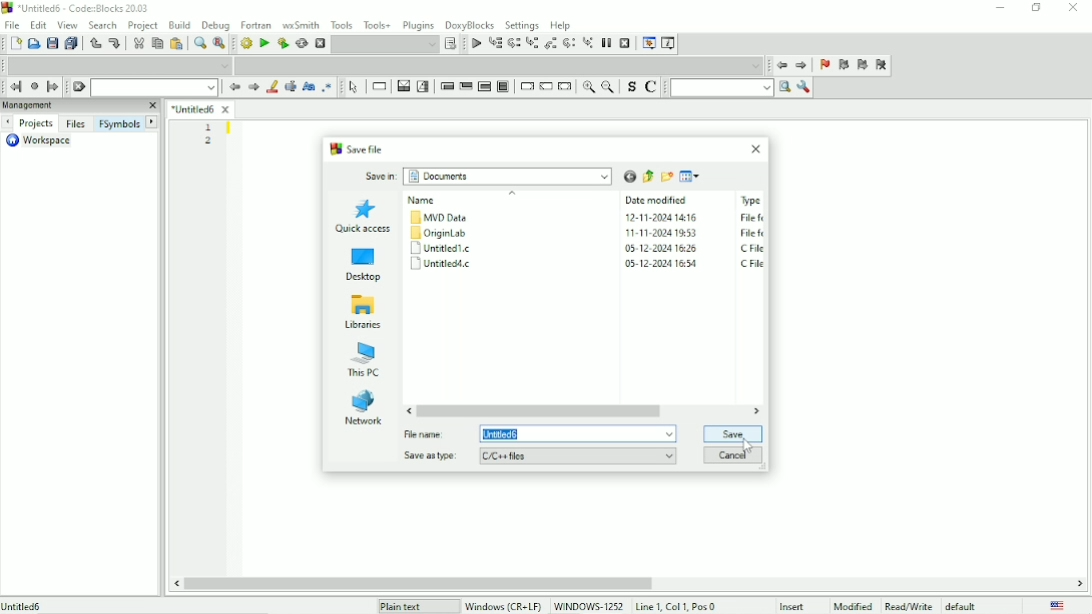 The height and width of the screenshot is (614, 1092). Describe the element at coordinates (39, 25) in the screenshot. I see `Edit` at that location.